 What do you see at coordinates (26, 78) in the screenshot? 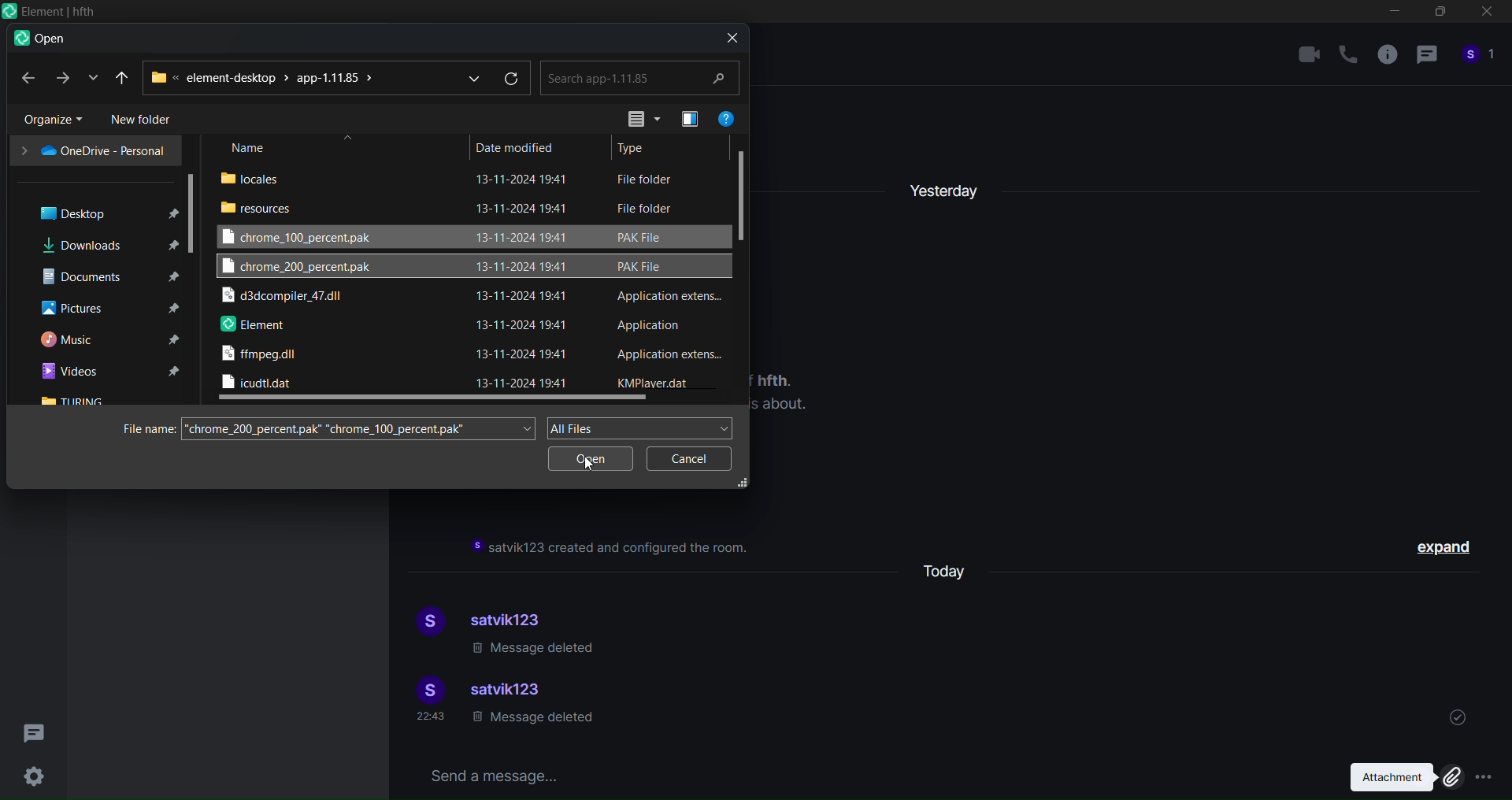
I see `back` at bounding box center [26, 78].